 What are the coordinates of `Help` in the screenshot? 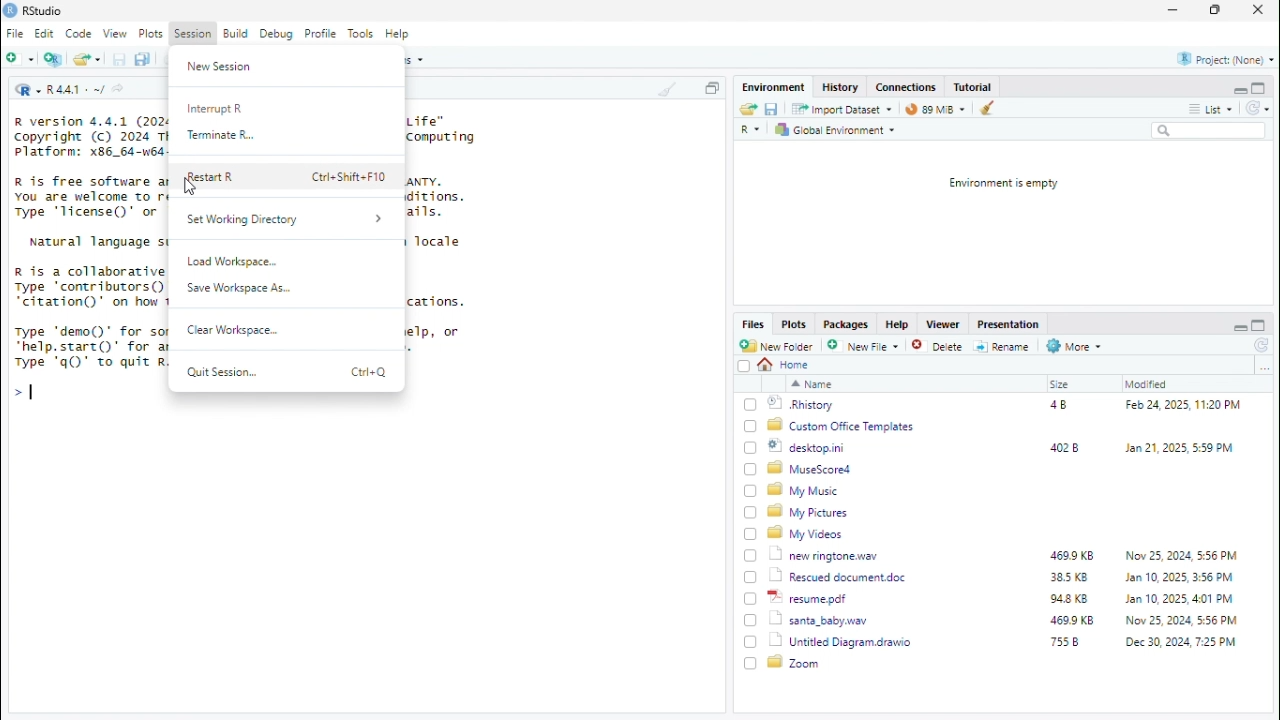 It's located at (899, 325).